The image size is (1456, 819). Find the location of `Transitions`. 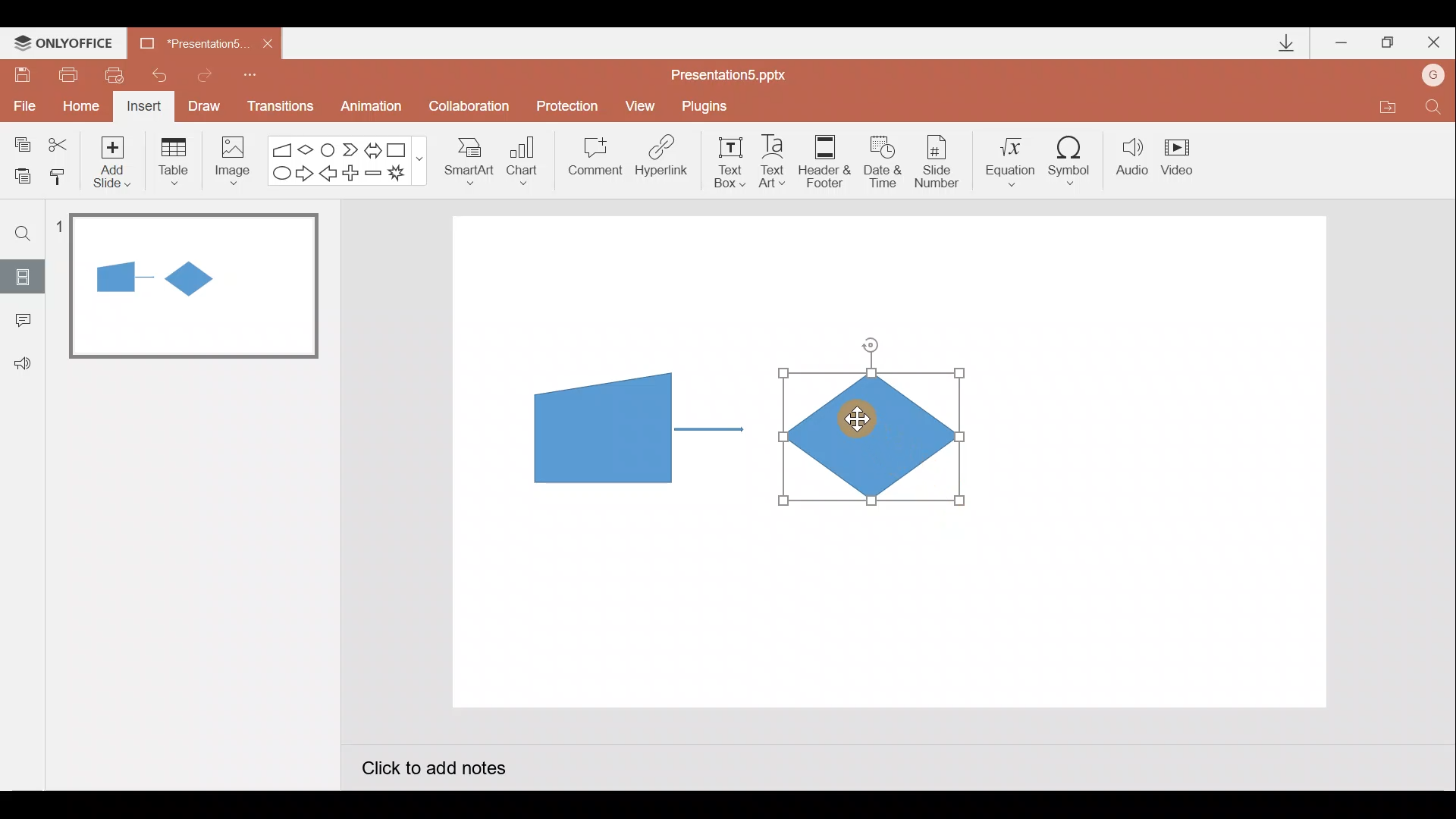

Transitions is located at coordinates (278, 108).